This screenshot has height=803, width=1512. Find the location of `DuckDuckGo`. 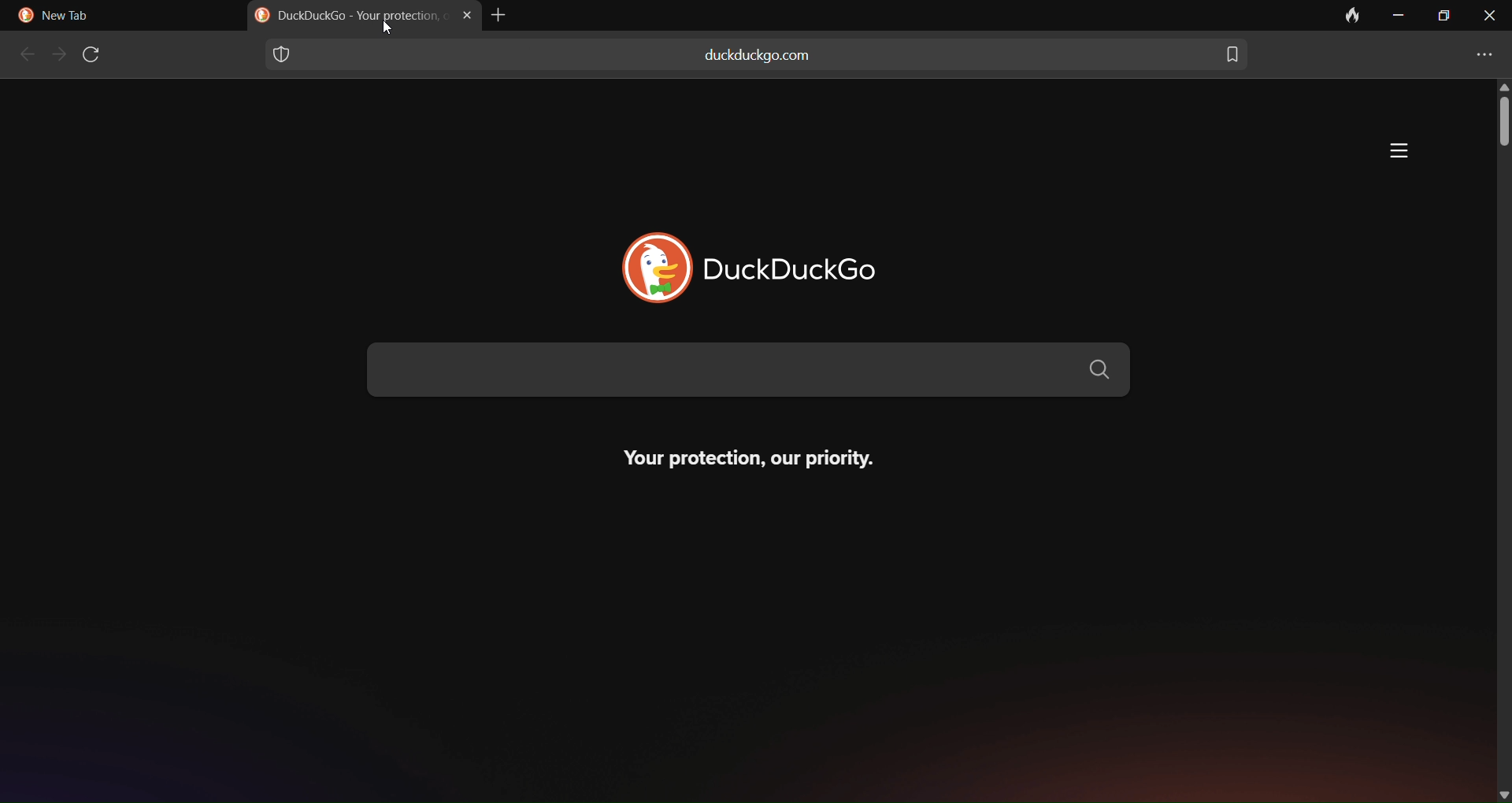

DuckDuckGo is located at coordinates (810, 262).